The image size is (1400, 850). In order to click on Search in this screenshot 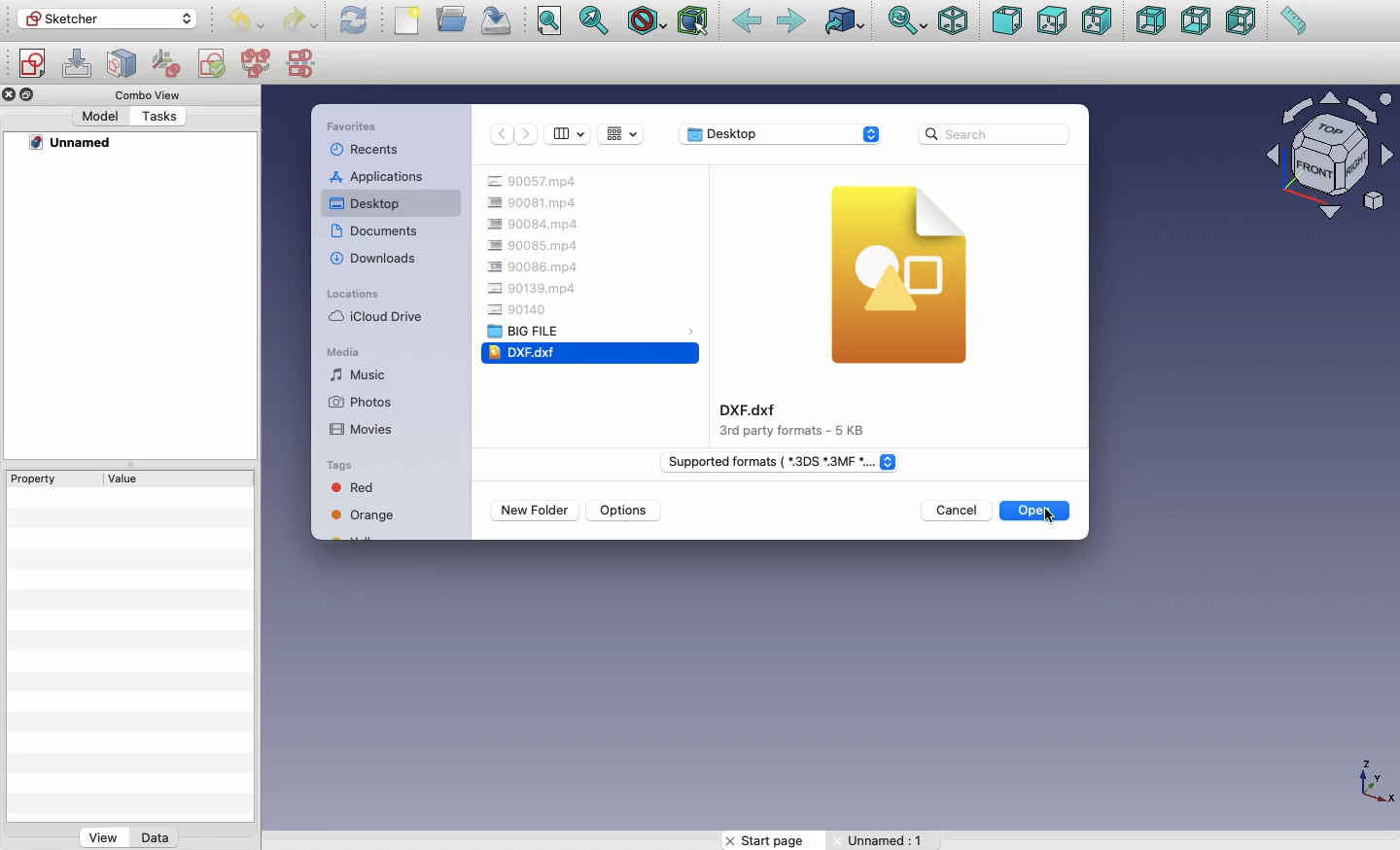, I will do `click(999, 132)`.